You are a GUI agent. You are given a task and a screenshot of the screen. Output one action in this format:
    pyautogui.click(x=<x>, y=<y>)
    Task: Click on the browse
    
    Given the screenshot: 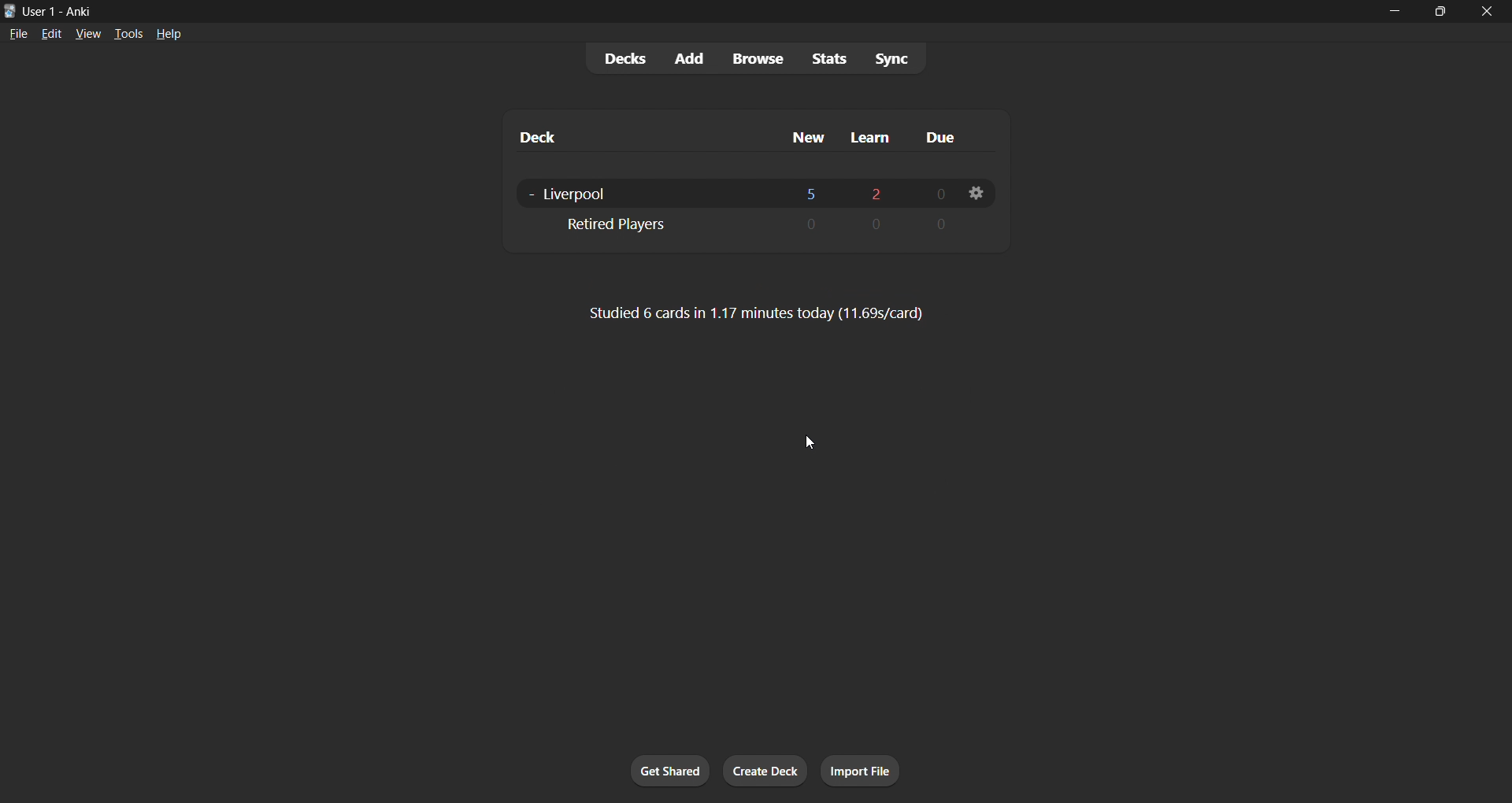 What is the action you would take?
    pyautogui.click(x=755, y=60)
    